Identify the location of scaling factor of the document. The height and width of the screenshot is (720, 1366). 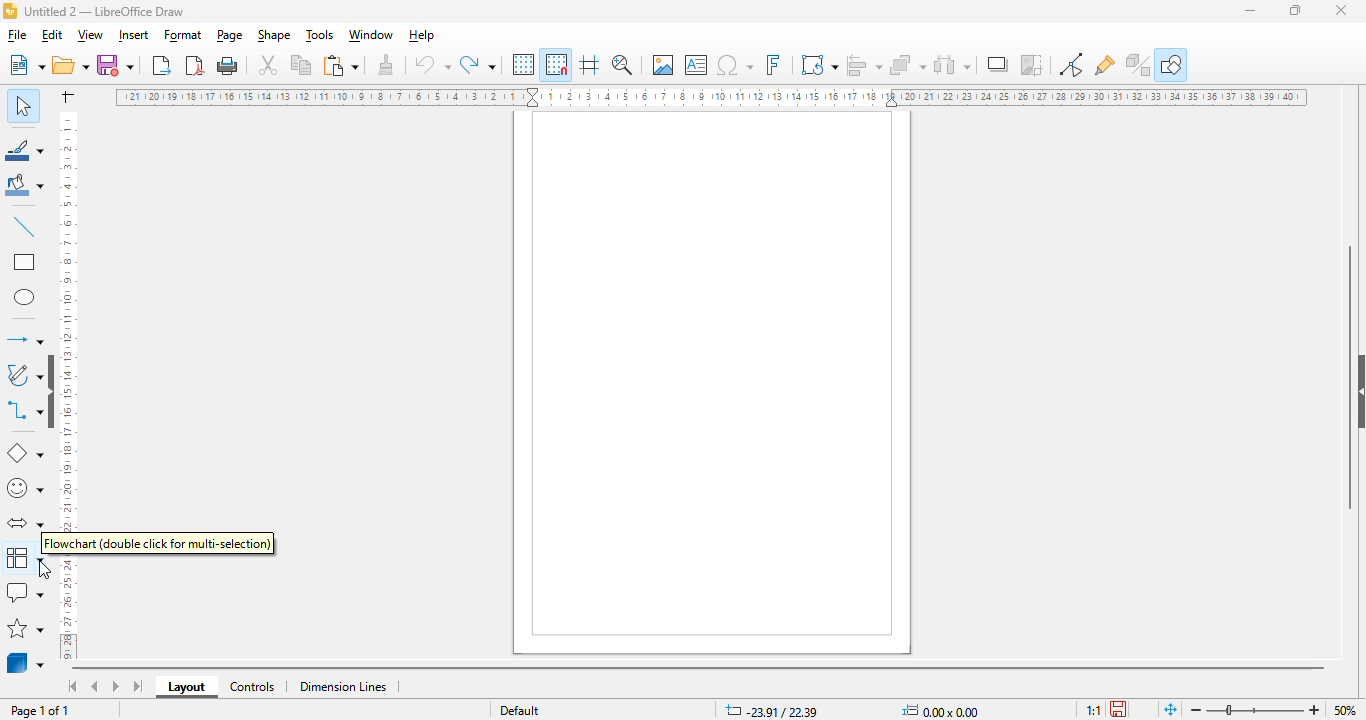
(1093, 709).